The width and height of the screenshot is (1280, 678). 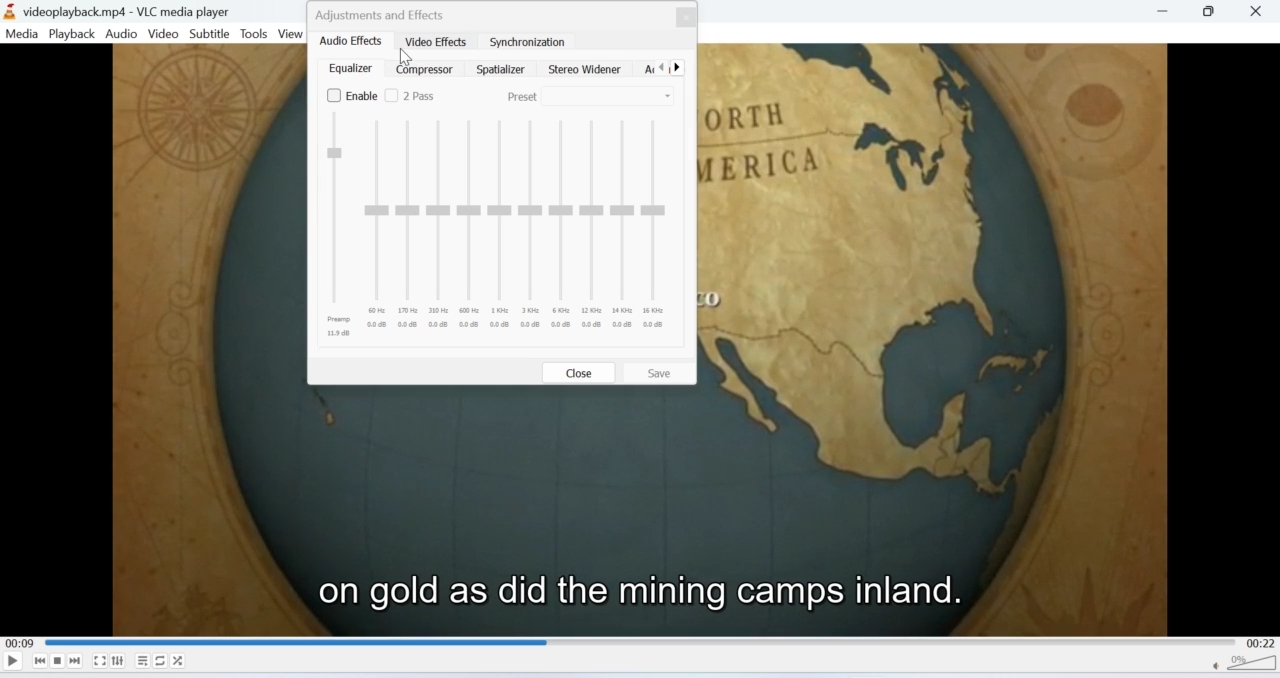 What do you see at coordinates (582, 69) in the screenshot?
I see `stereo widener` at bounding box center [582, 69].